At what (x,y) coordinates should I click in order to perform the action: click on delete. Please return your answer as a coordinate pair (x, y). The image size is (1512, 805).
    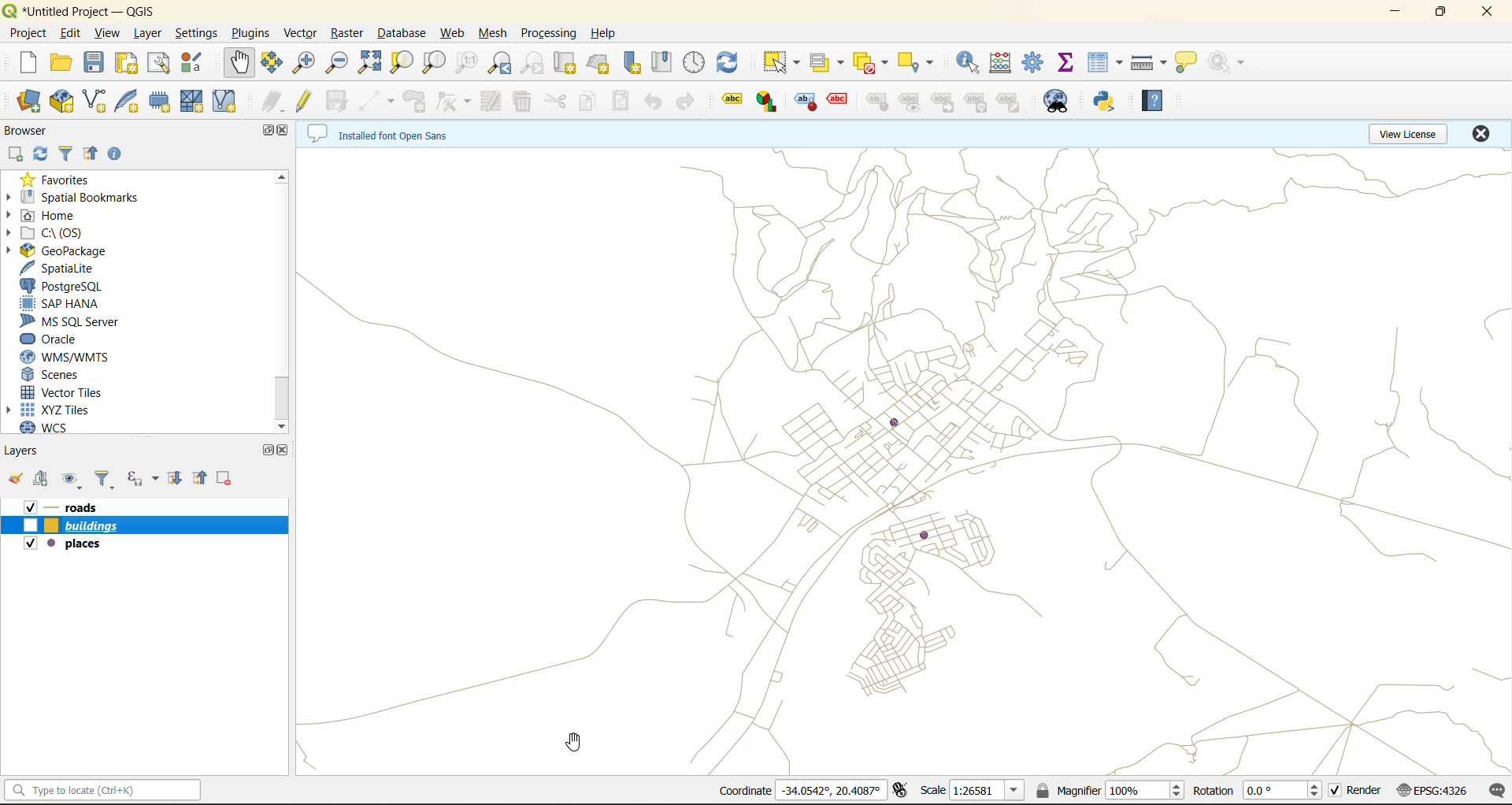
    Looking at the image, I should click on (522, 98).